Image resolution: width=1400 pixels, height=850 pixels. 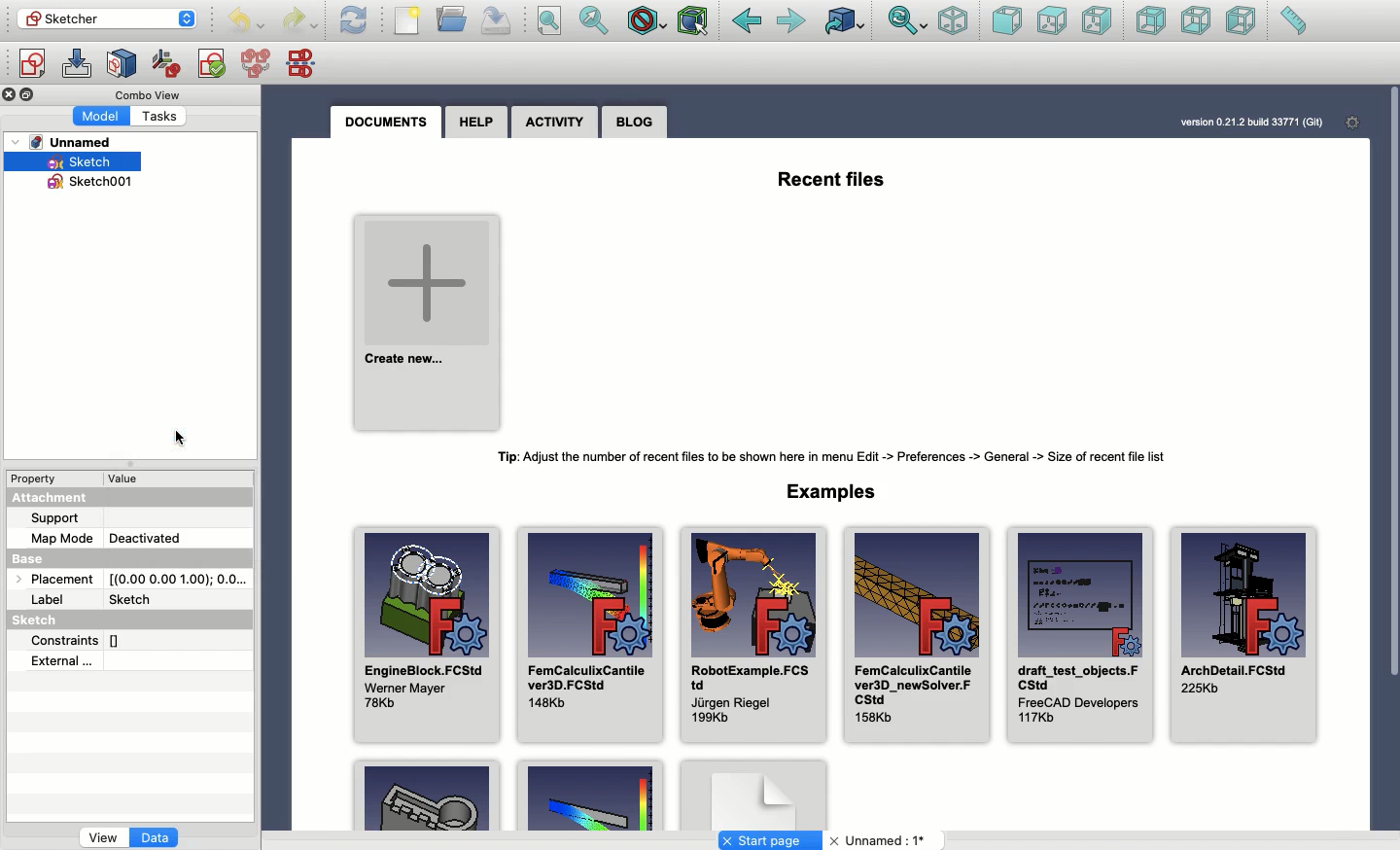 What do you see at coordinates (84, 639) in the screenshot?
I see `Constraints` at bounding box center [84, 639].